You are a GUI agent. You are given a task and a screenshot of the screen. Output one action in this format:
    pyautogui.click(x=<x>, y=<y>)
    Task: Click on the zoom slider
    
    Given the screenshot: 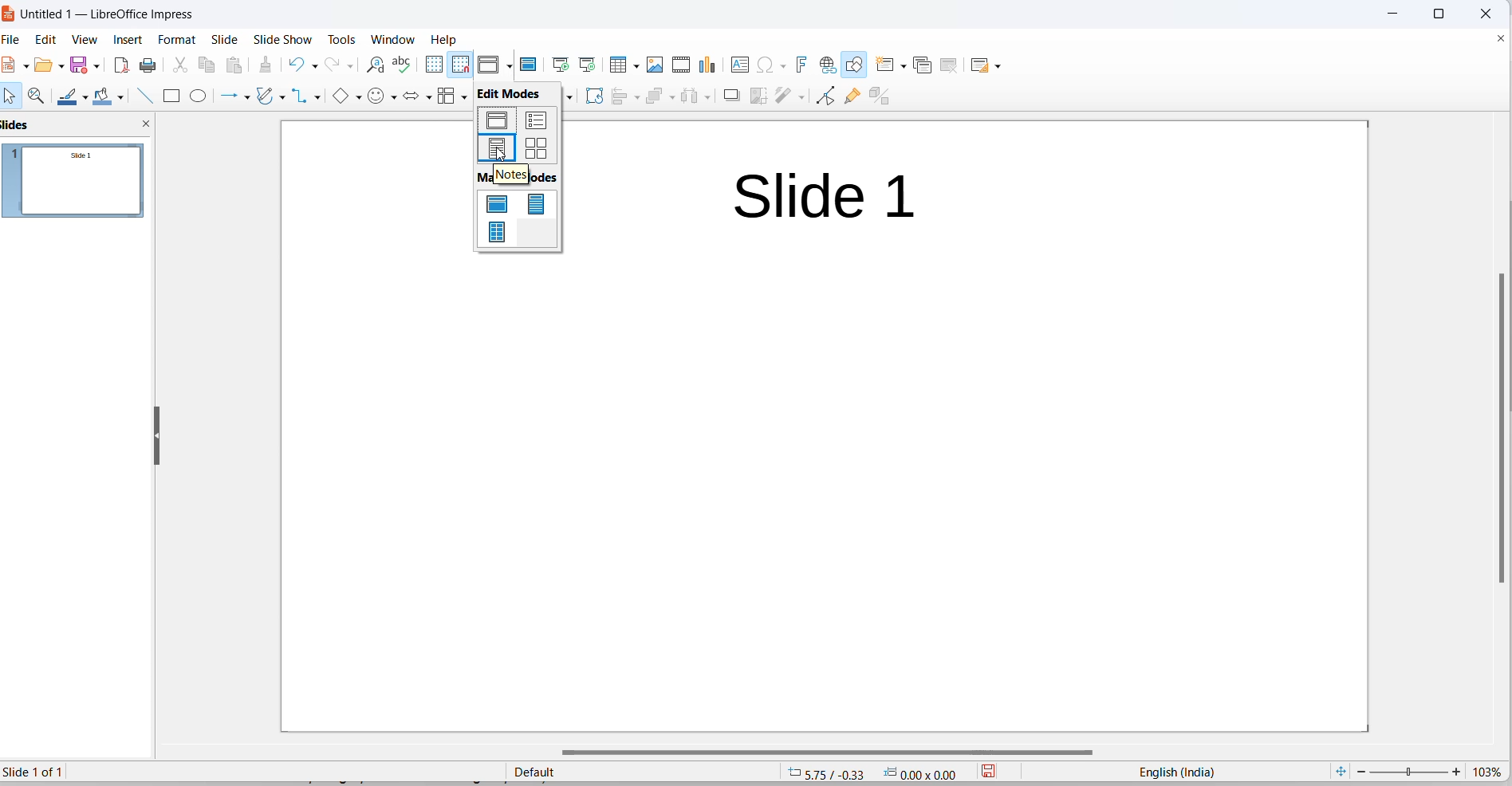 What is the action you would take?
    pyautogui.click(x=1409, y=771)
    